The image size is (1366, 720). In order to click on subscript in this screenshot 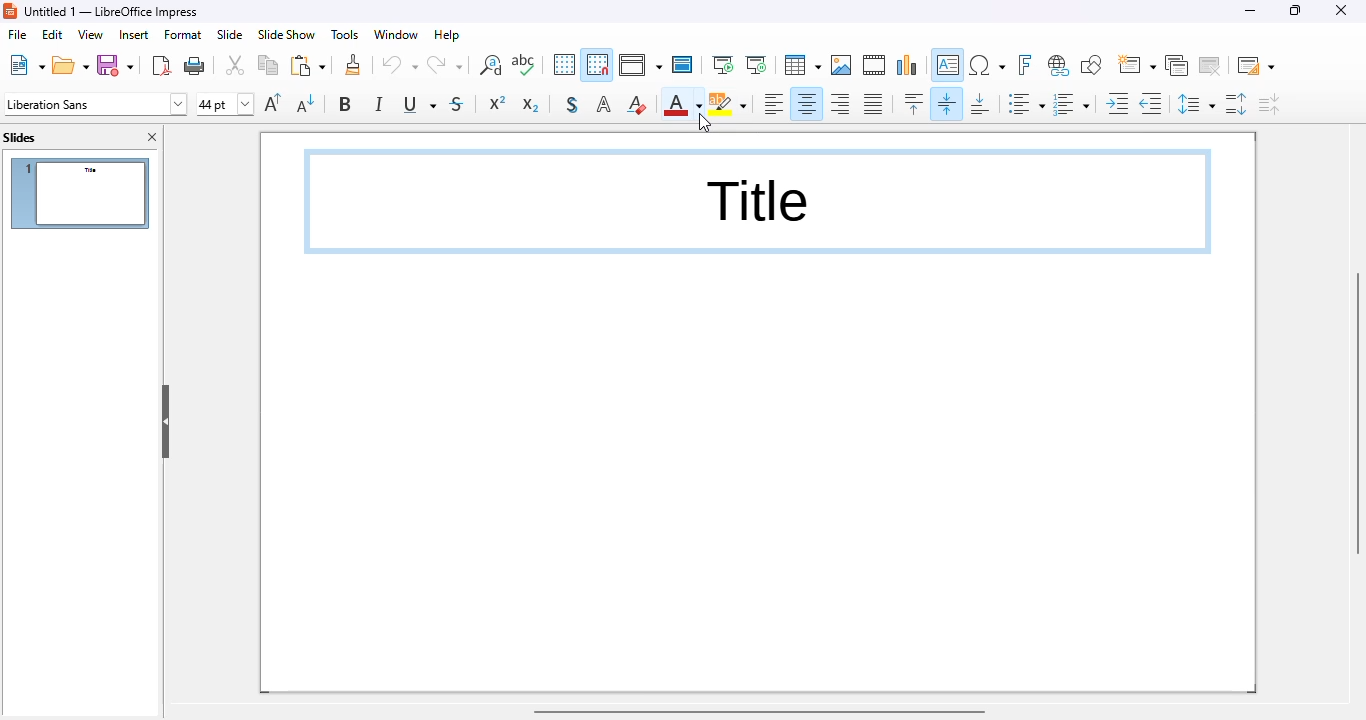, I will do `click(529, 104)`.